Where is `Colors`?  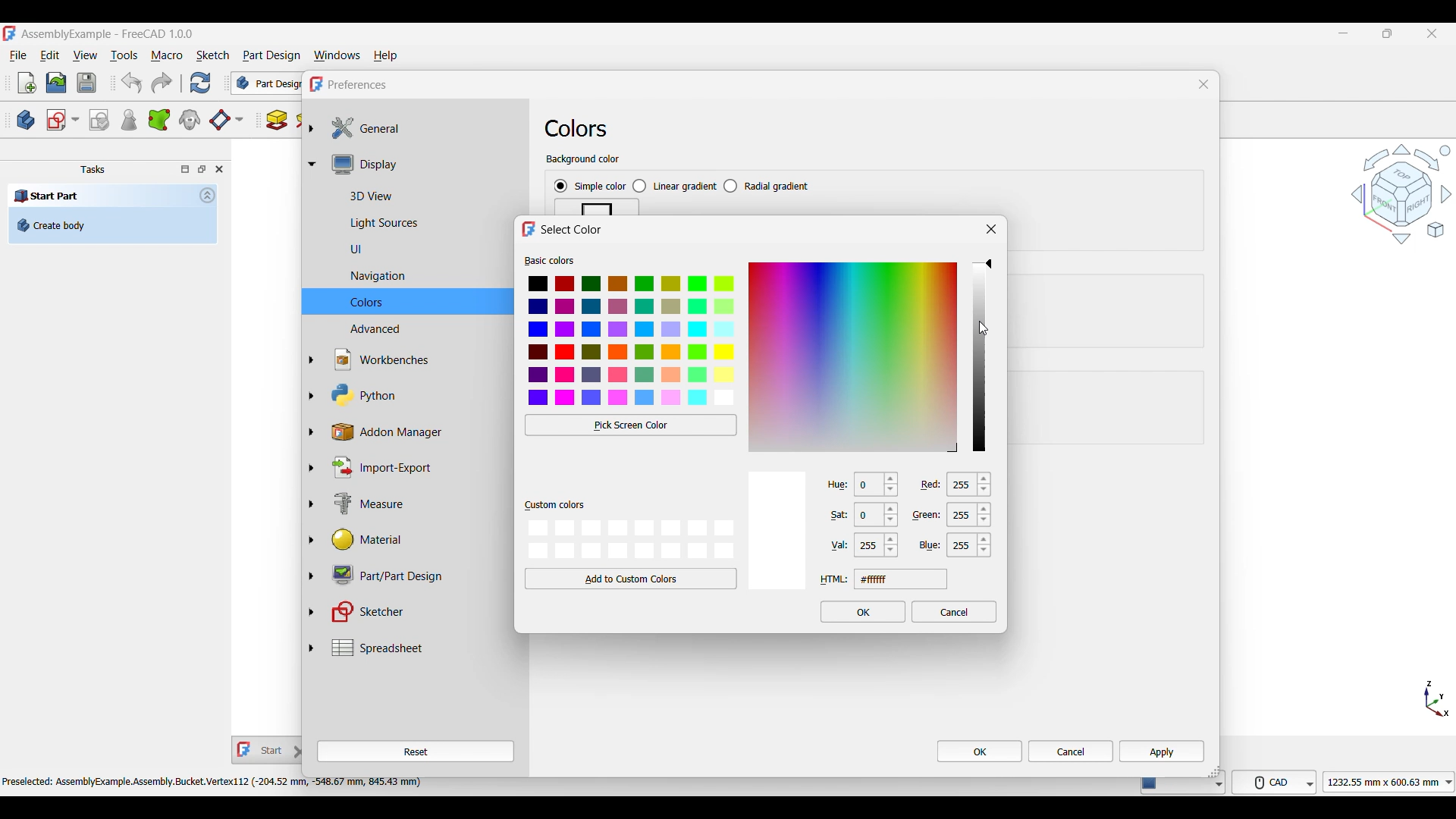 Colors is located at coordinates (576, 128).